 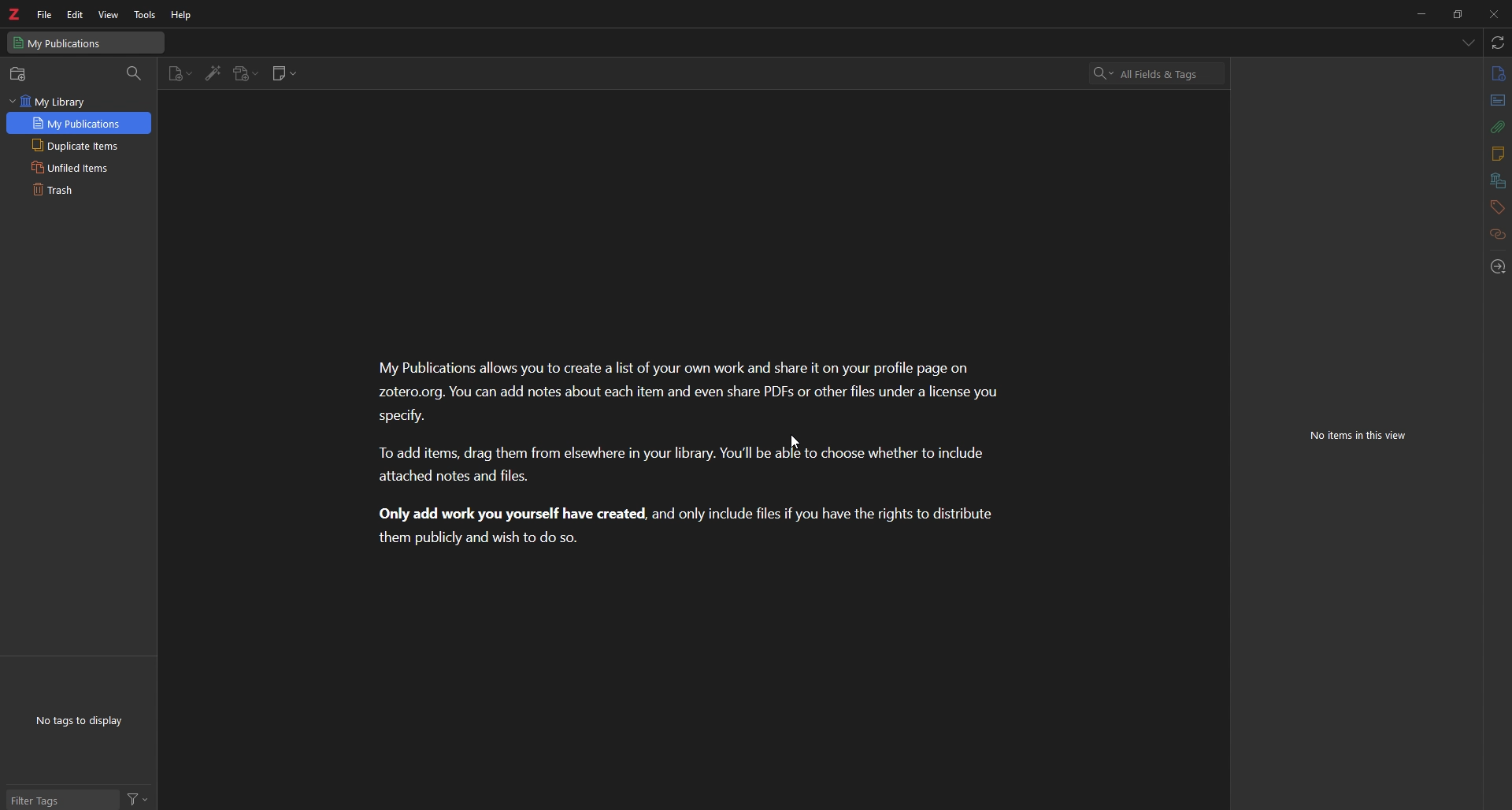 I want to click on Close, so click(x=1495, y=13).